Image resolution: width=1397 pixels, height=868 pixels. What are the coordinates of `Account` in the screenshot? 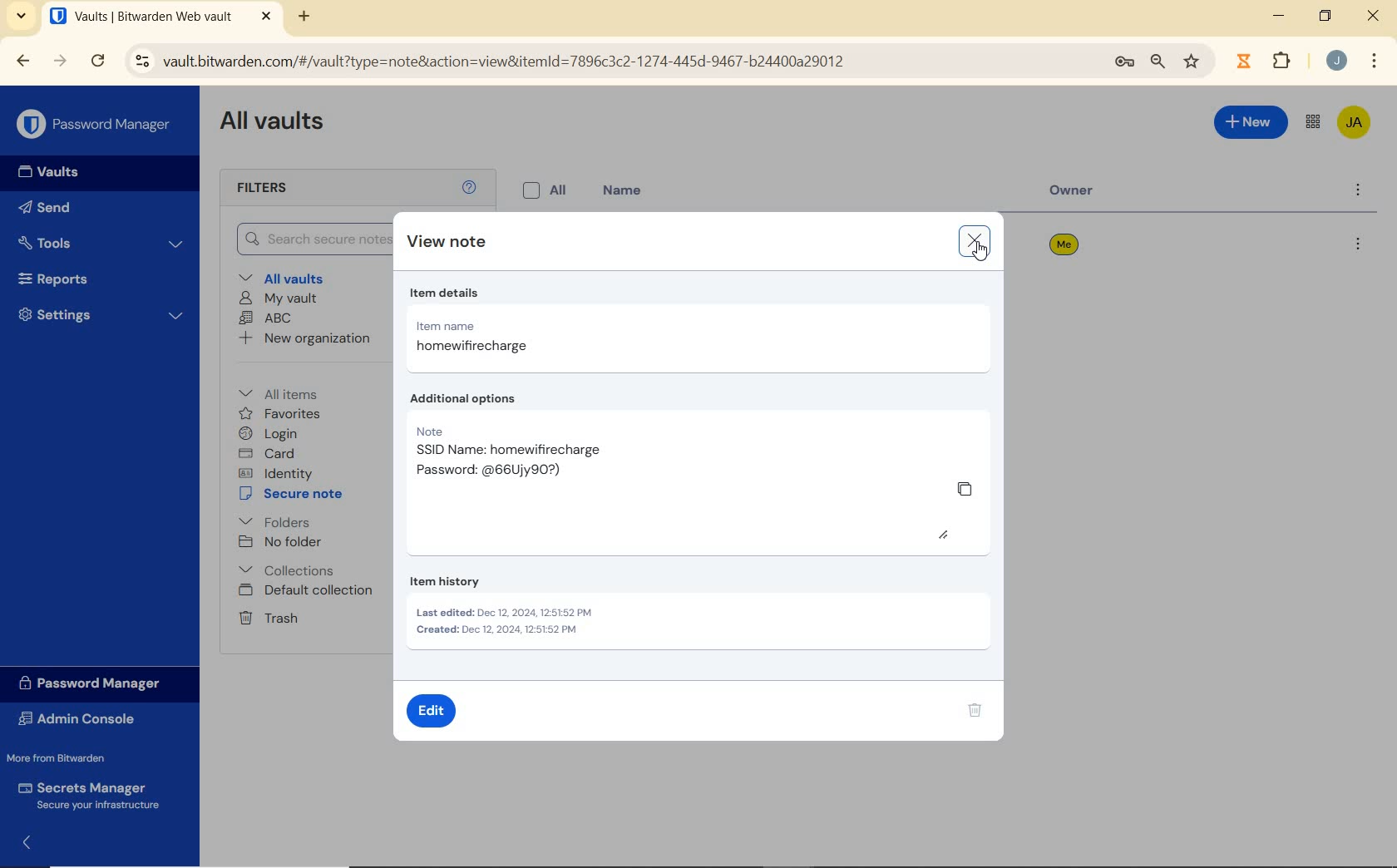 It's located at (1335, 60).